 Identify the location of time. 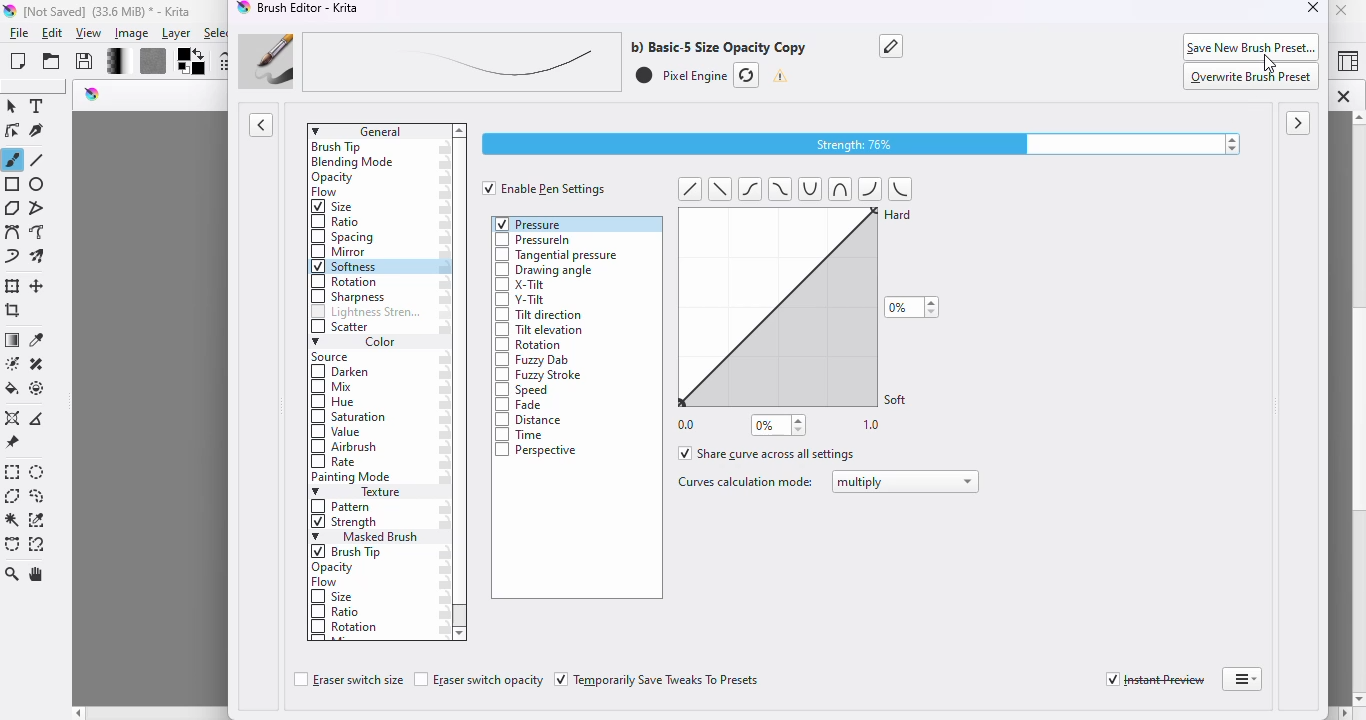
(523, 435).